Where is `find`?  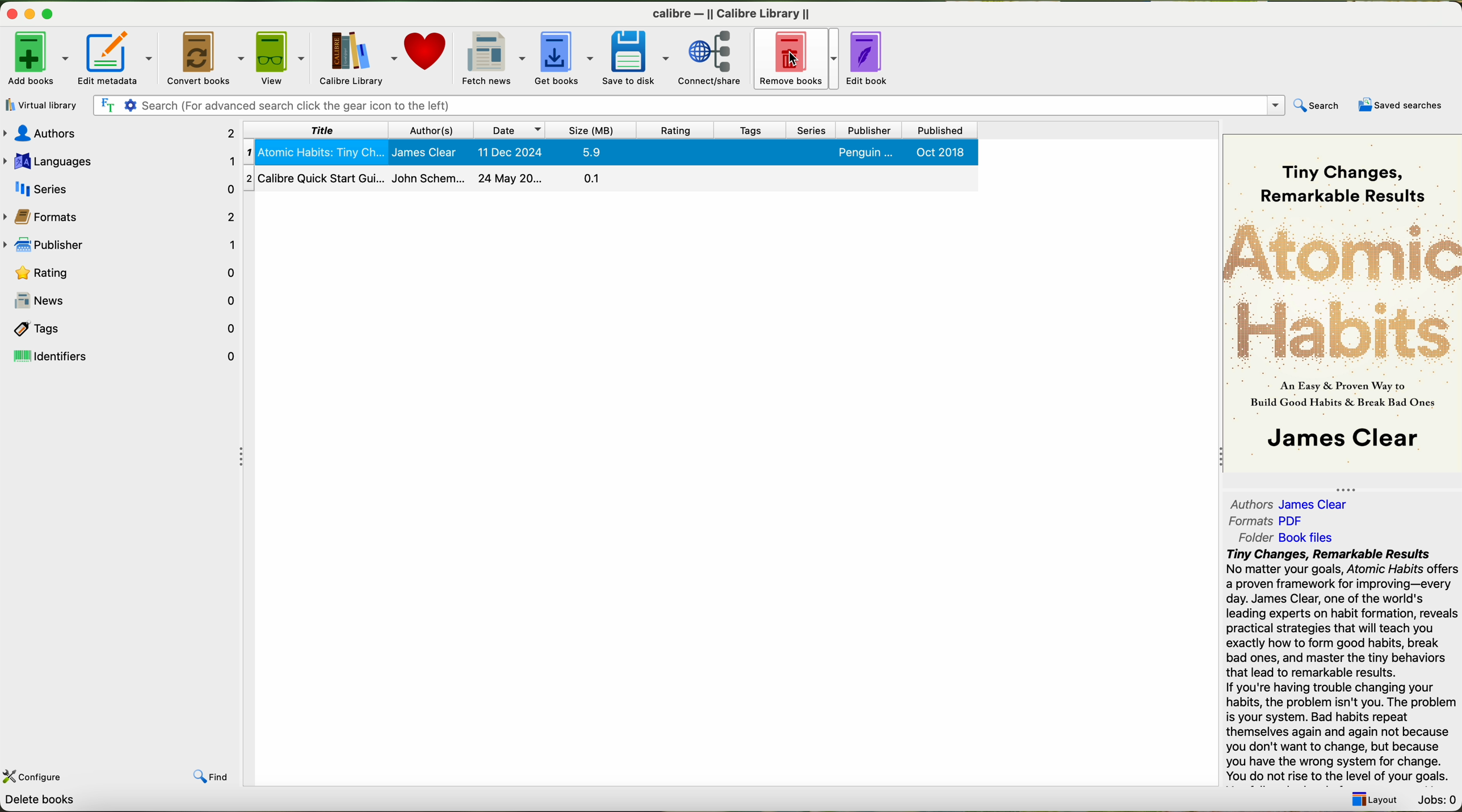 find is located at coordinates (214, 778).